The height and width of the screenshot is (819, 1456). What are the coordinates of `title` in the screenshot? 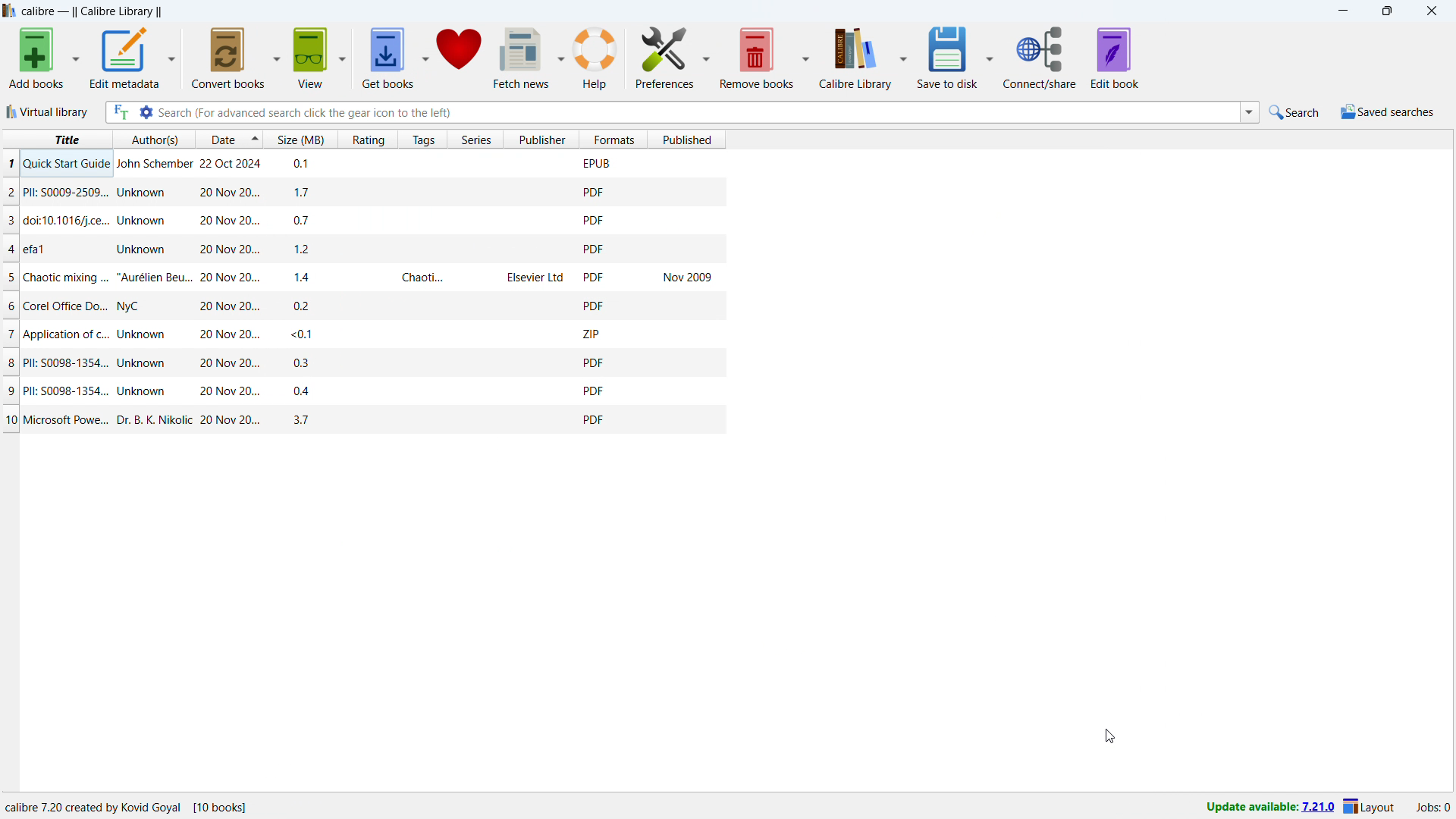 It's located at (92, 11).